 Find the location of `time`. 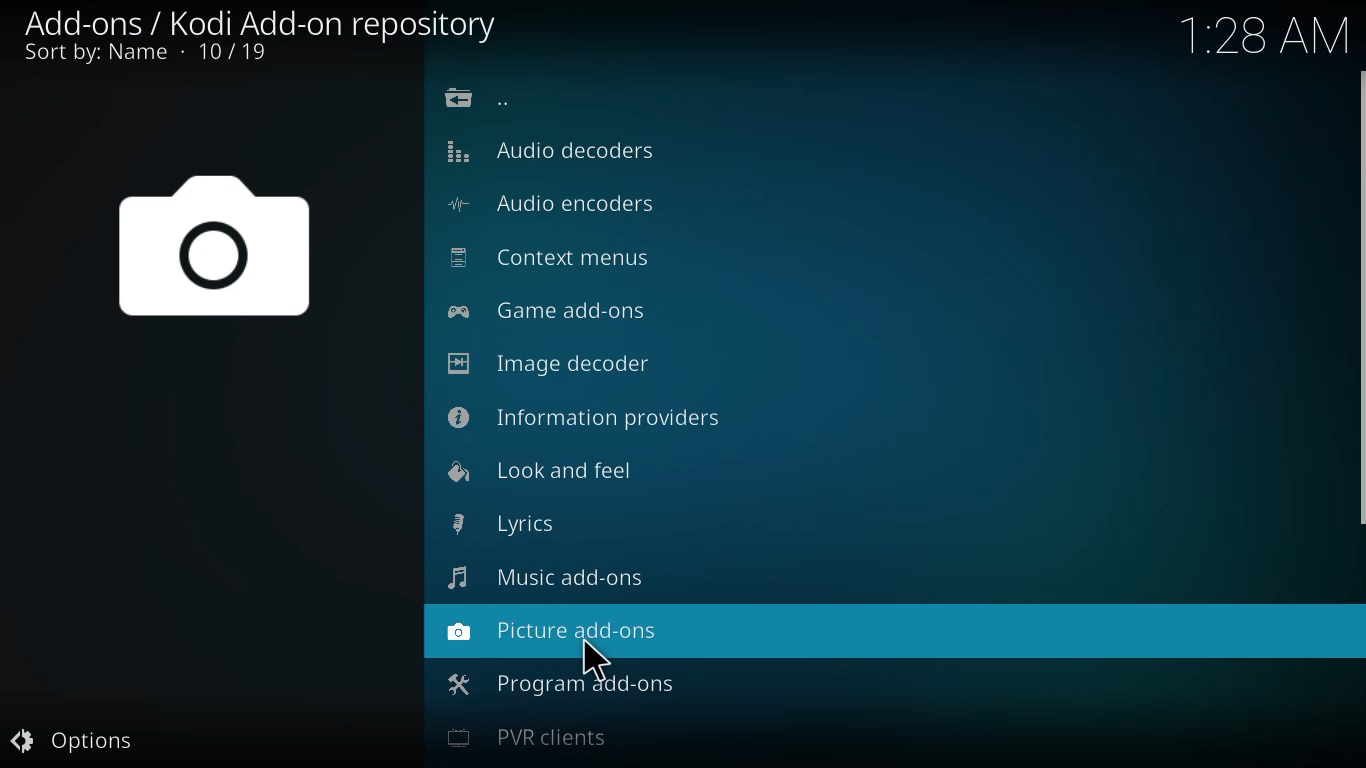

time is located at coordinates (1270, 35).